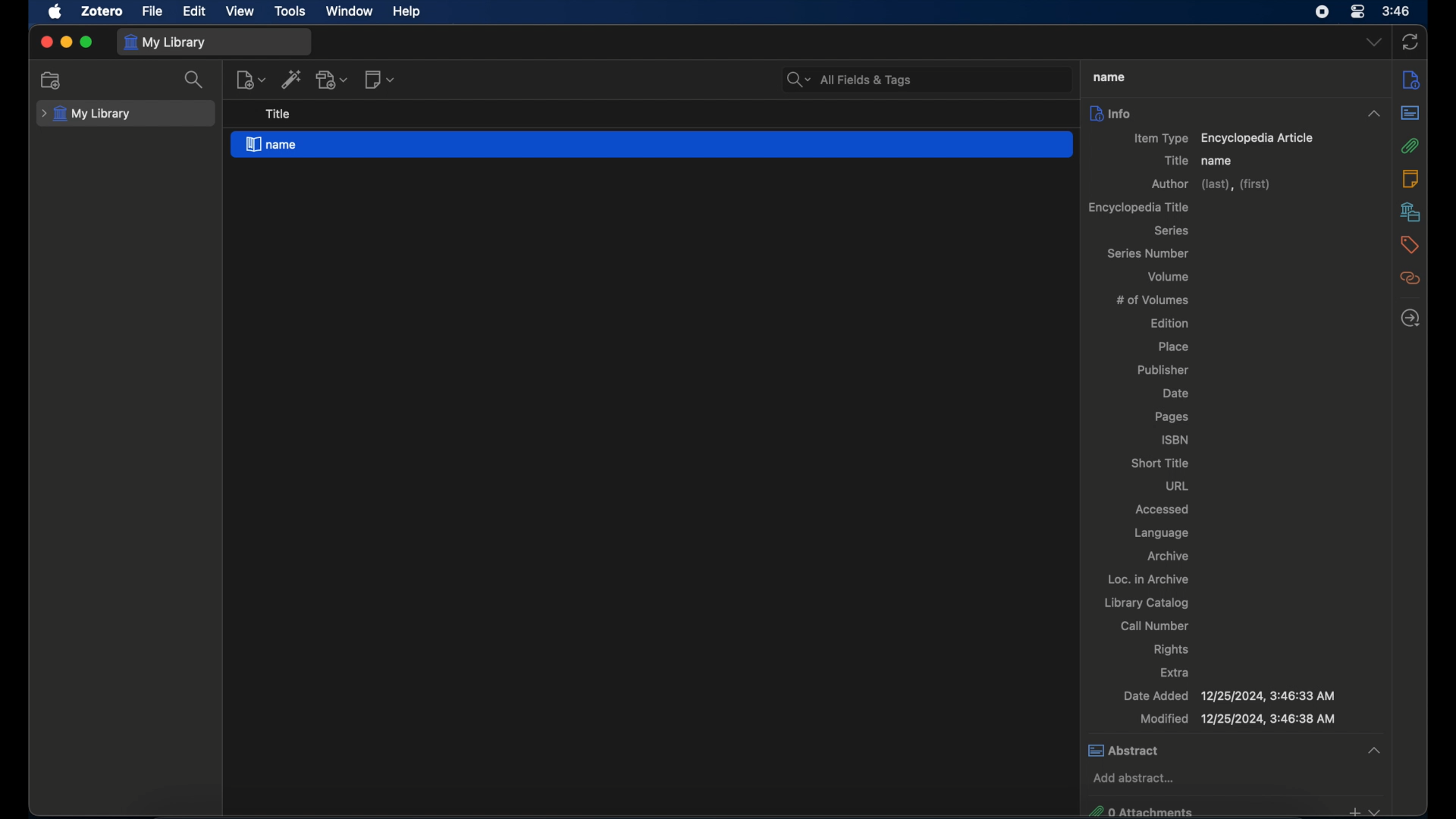 The height and width of the screenshot is (819, 1456). What do you see at coordinates (1223, 139) in the screenshot?
I see `item type` at bounding box center [1223, 139].